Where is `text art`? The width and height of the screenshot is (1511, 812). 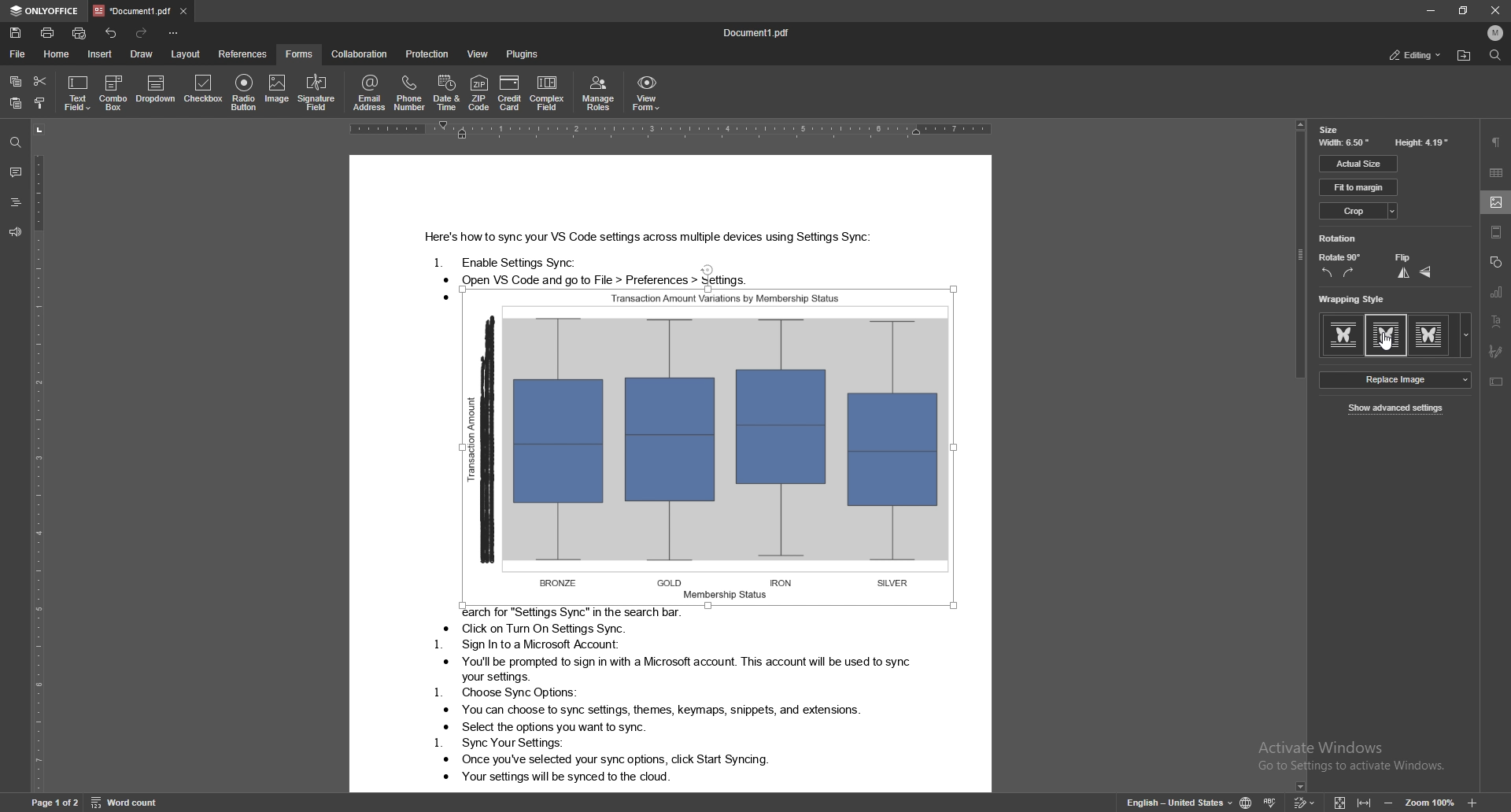
text art is located at coordinates (1498, 320).